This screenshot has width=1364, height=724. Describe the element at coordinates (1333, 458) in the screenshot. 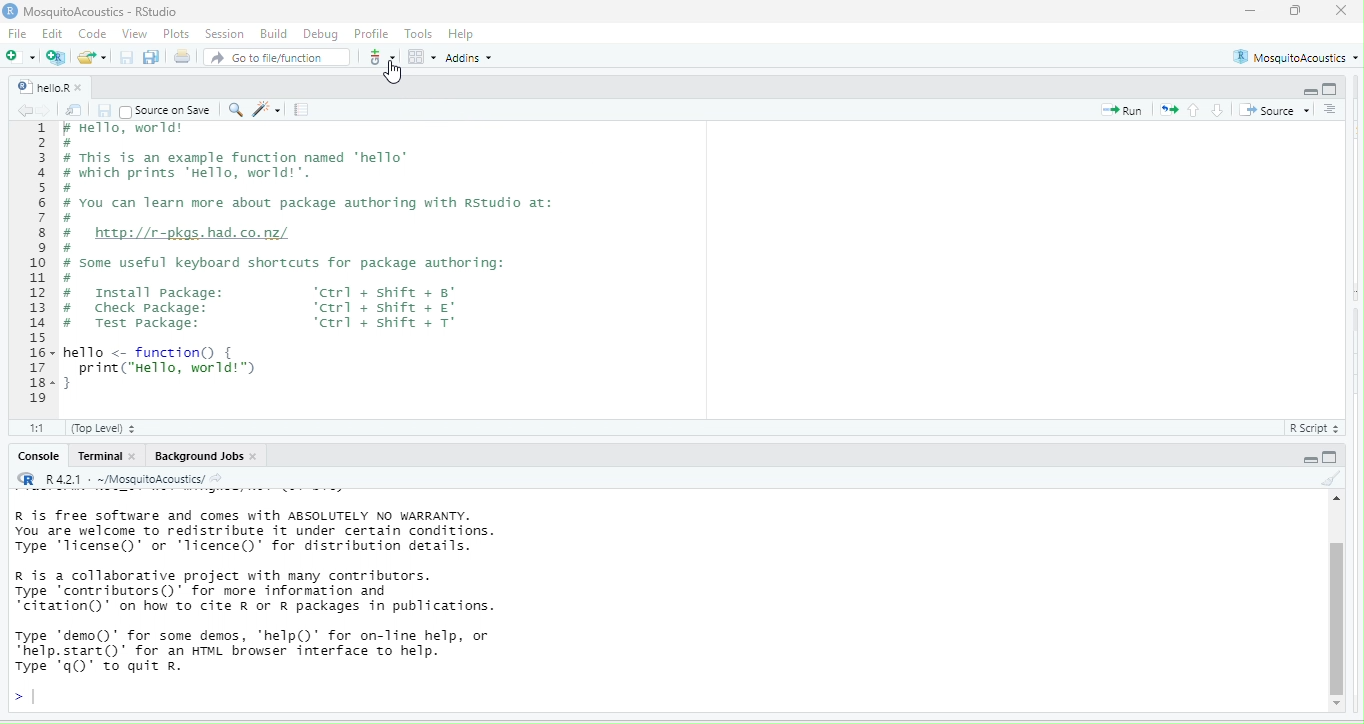

I see `hide console` at that location.